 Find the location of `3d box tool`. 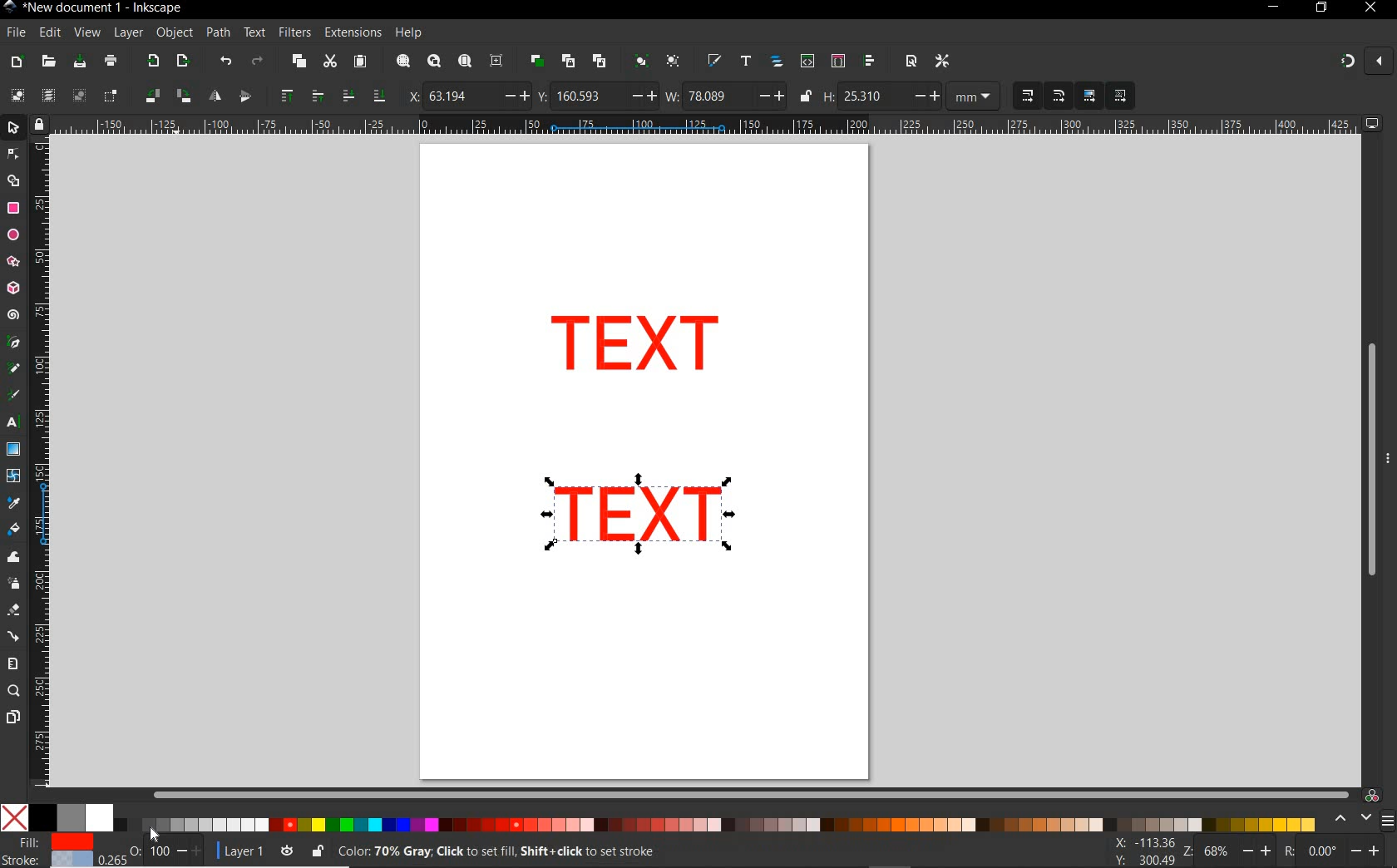

3d box tool is located at coordinates (15, 287).